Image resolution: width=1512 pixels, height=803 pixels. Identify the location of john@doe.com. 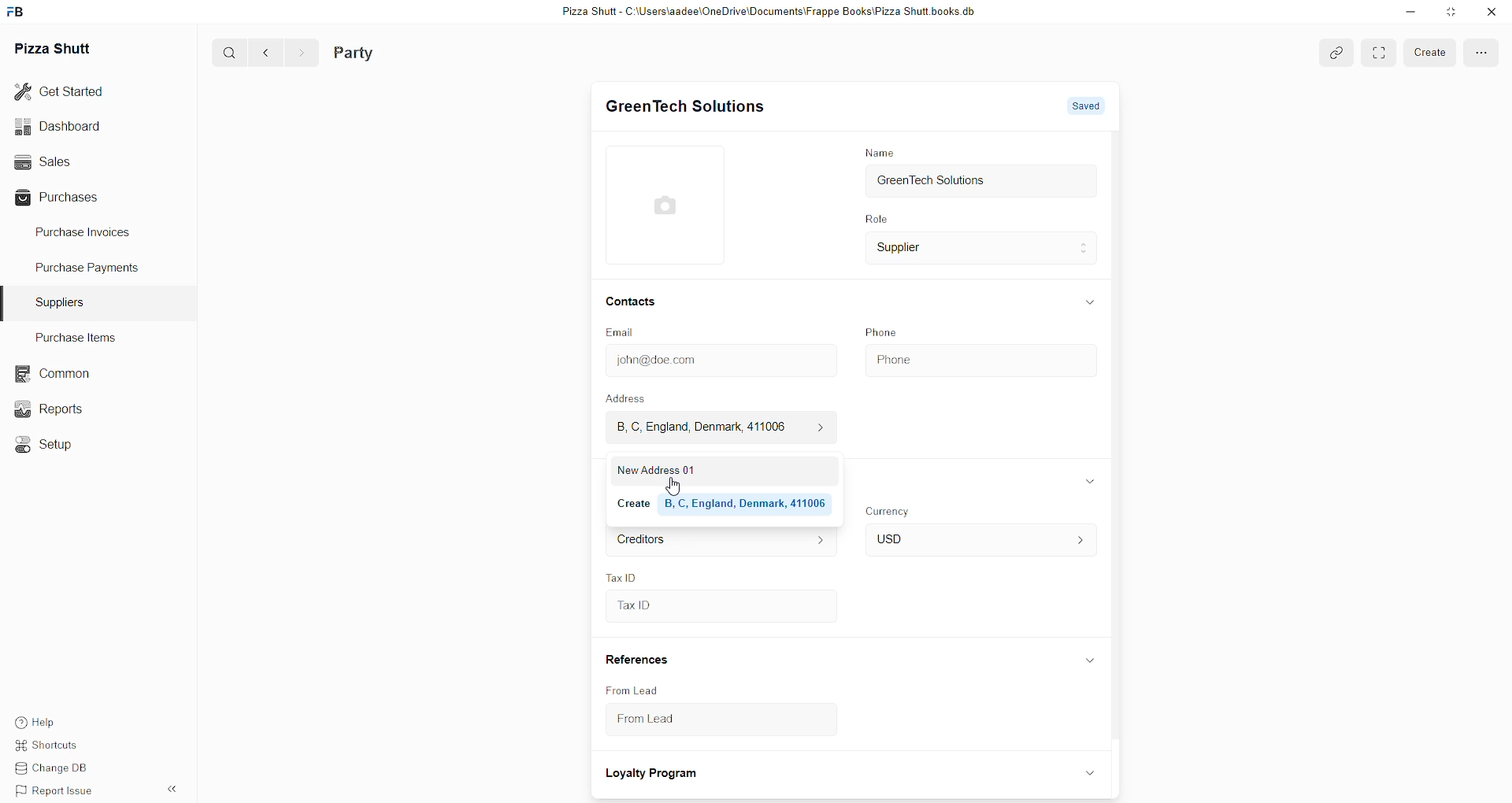
(717, 361).